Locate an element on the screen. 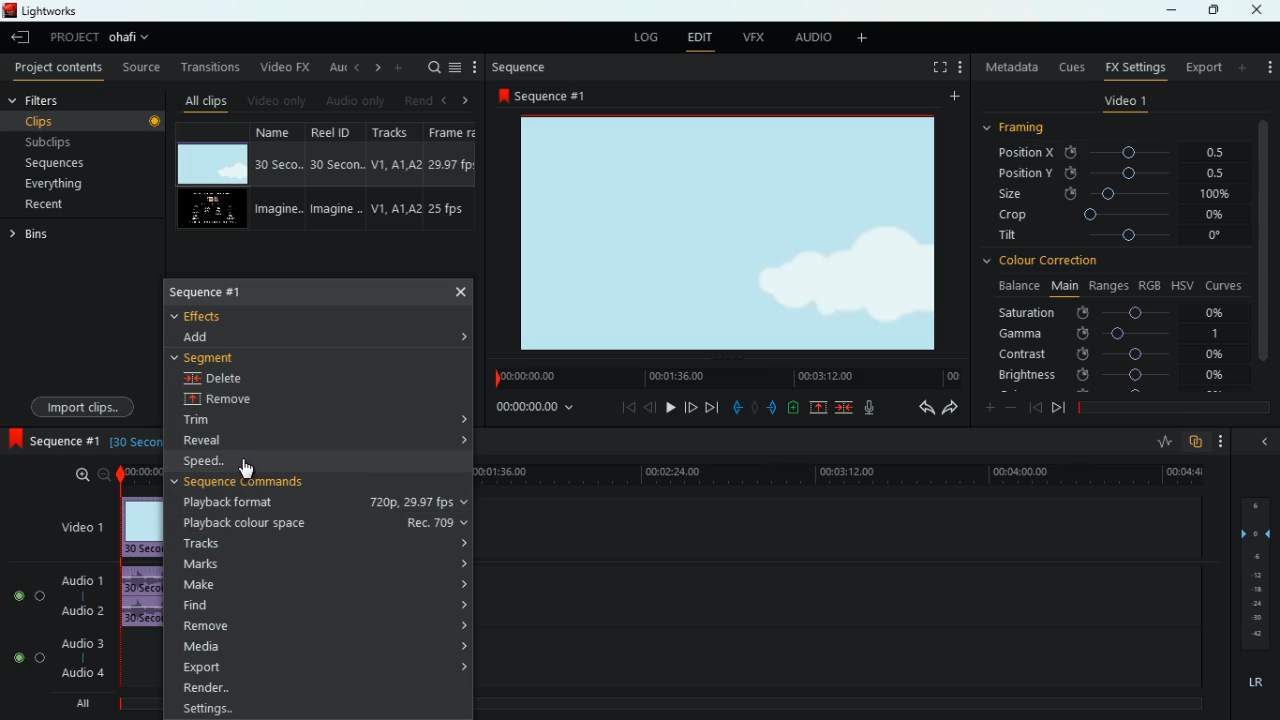 Image resolution: width=1280 pixels, height=720 pixels. ranges is located at coordinates (1106, 286).